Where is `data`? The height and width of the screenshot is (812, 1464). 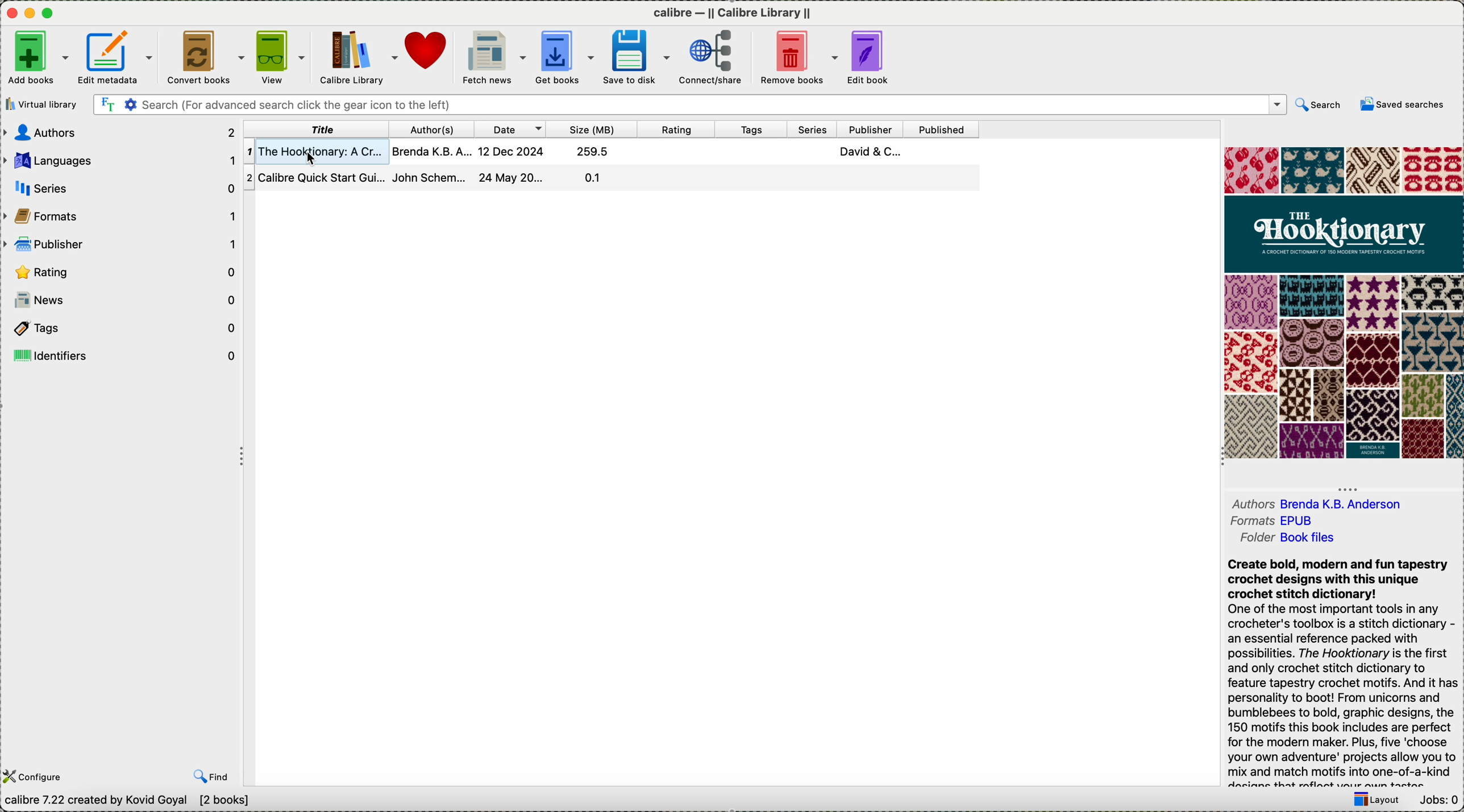 data is located at coordinates (130, 802).